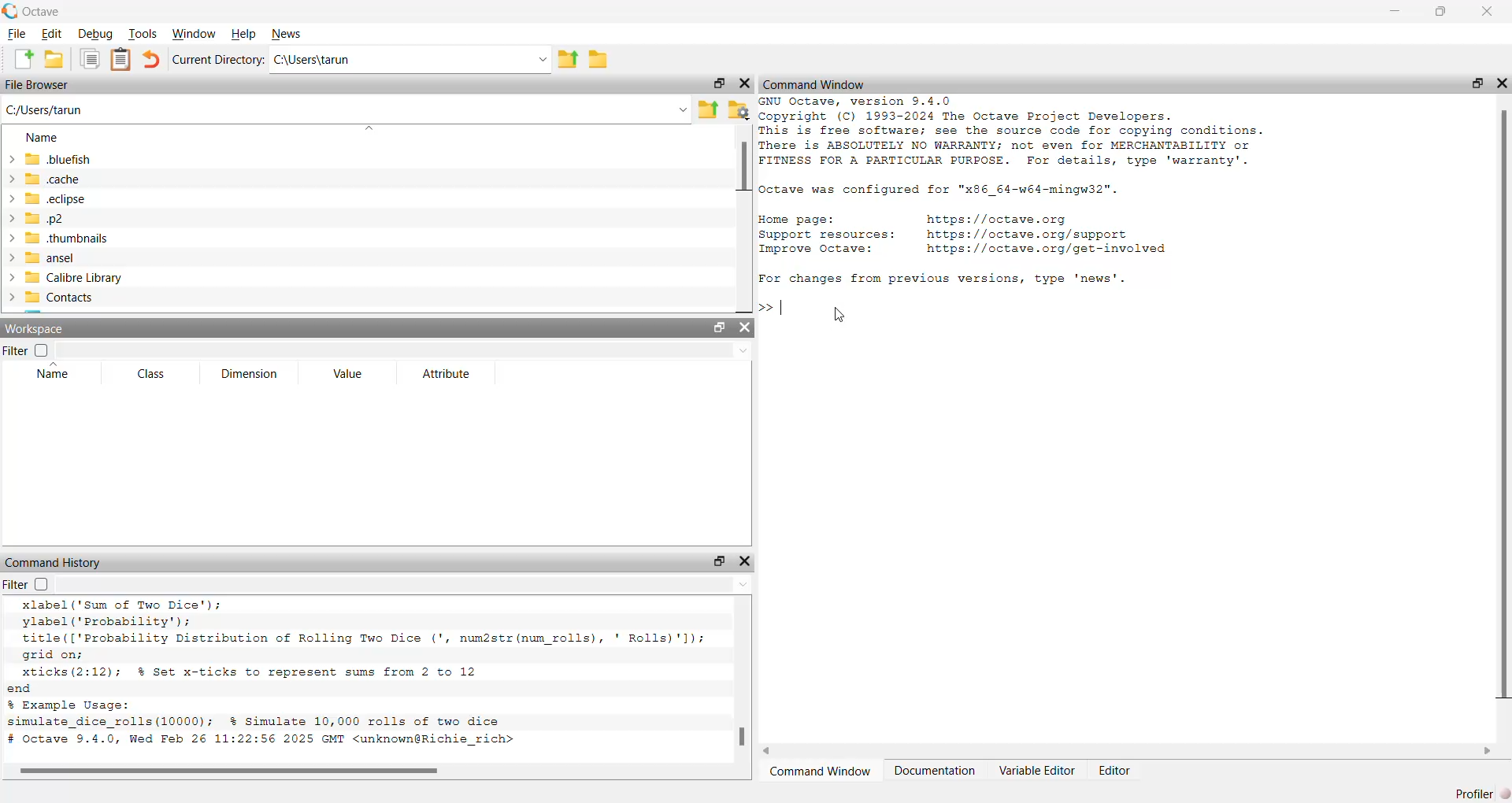 Image resolution: width=1512 pixels, height=803 pixels. Describe the element at coordinates (51, 35) in the screenshot. I see `Edit` at that location.